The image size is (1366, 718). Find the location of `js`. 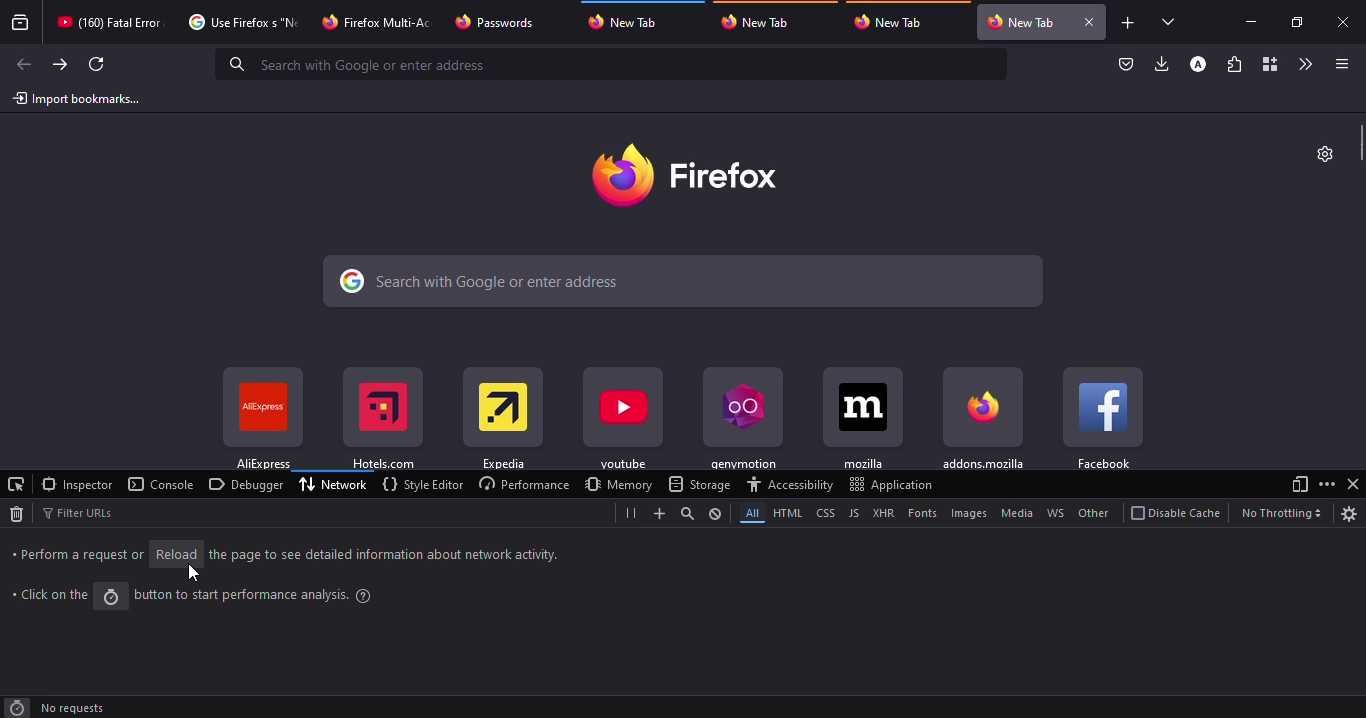

js is located at coordinates (853, 512).